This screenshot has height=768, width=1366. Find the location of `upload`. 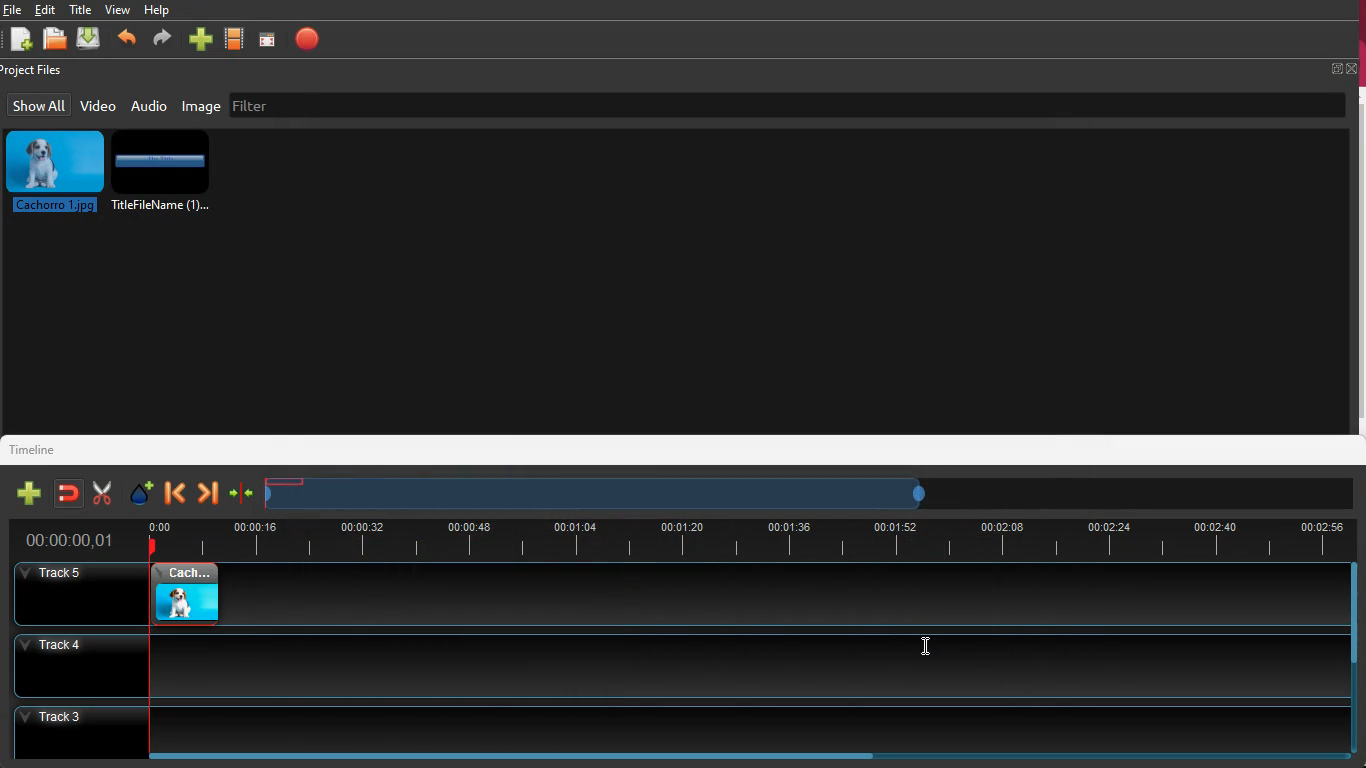

upload is located at coordinates (90, 39).